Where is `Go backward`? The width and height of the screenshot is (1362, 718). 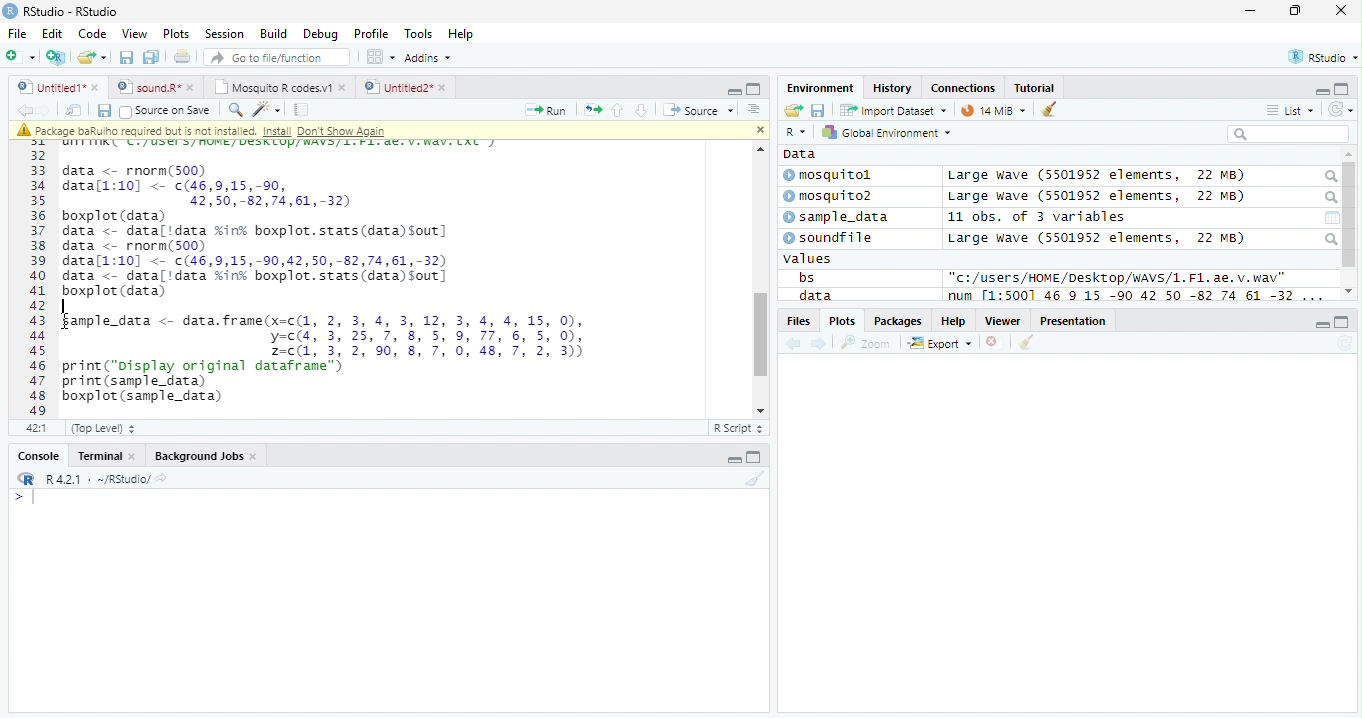
Go backward is located at coordinates (24, 109).